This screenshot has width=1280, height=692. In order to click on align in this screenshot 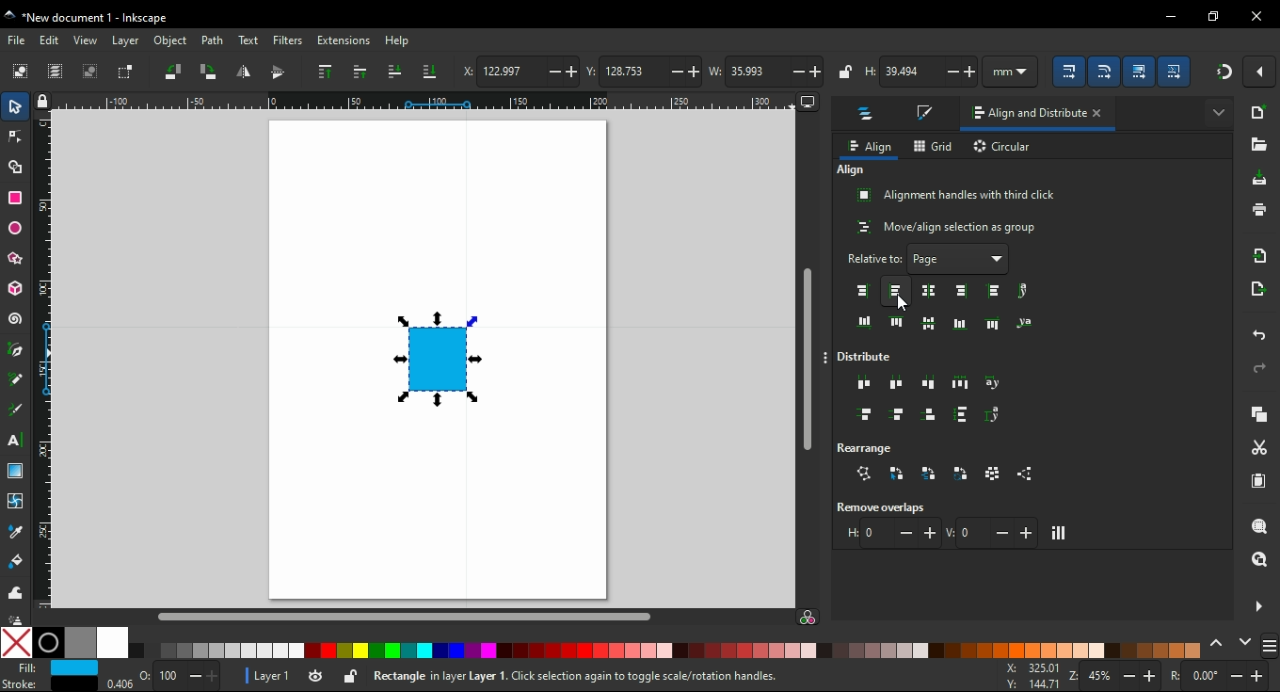, I will do `click(853, 171)`.